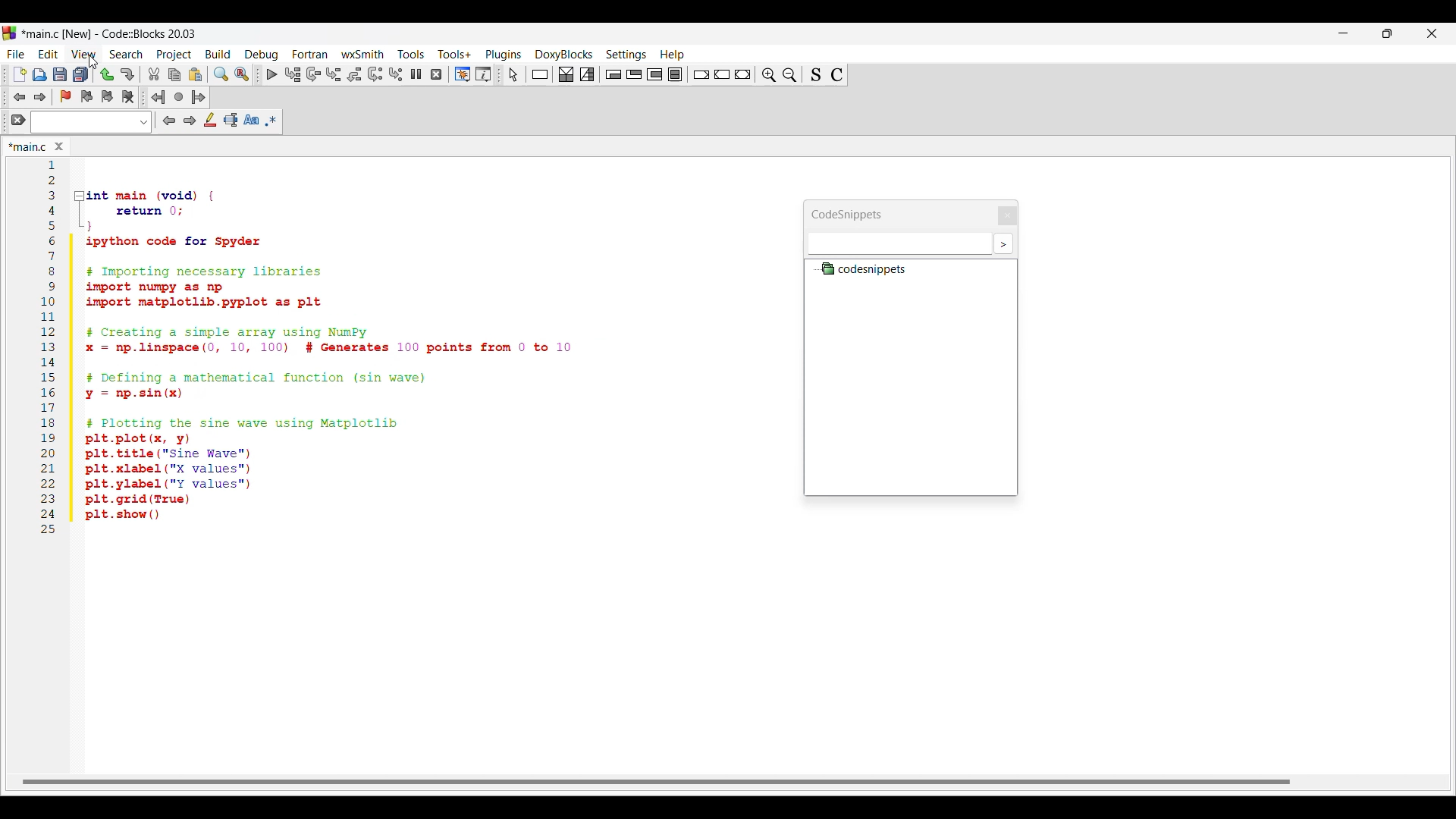 This screenshot has height=819, width=1456. What do you see at coordinates (218, 54) in the screenshot?
I see `Build menu` at bounding box center [218, 54].